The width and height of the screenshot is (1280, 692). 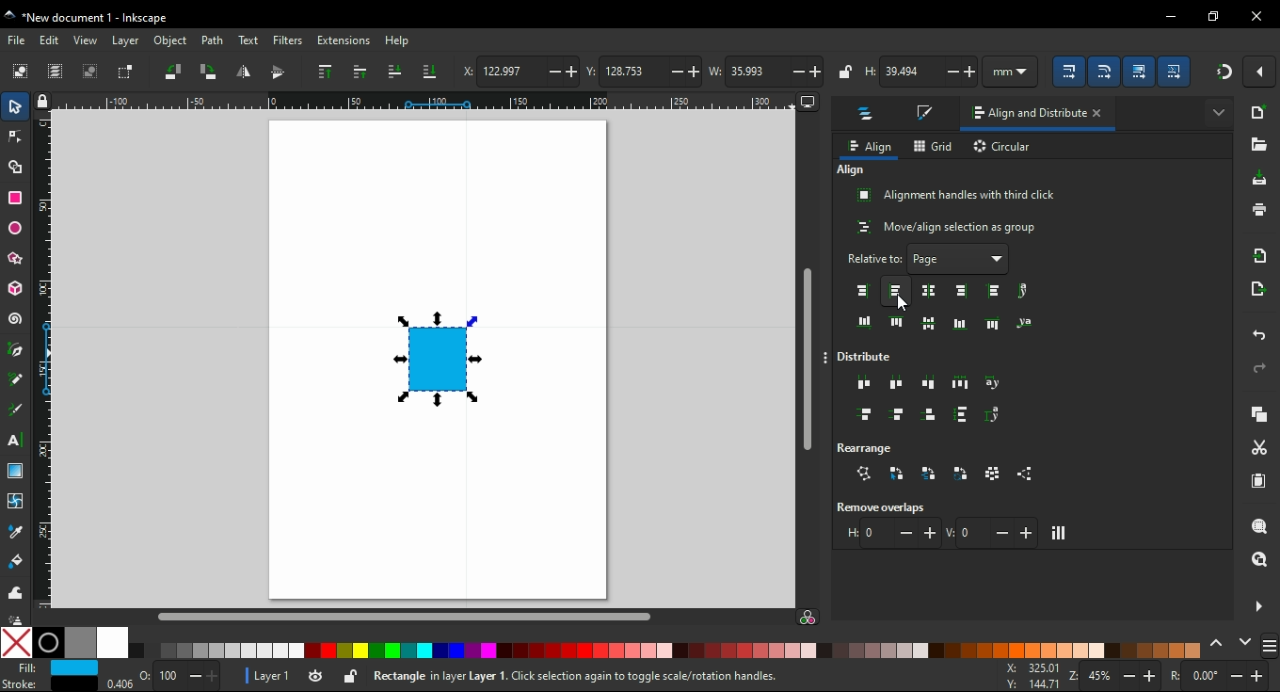 What do you see at coordinates (931, 324) in the screenshot?
I see `center on horizontal axis` at bounding box center [931, 324].